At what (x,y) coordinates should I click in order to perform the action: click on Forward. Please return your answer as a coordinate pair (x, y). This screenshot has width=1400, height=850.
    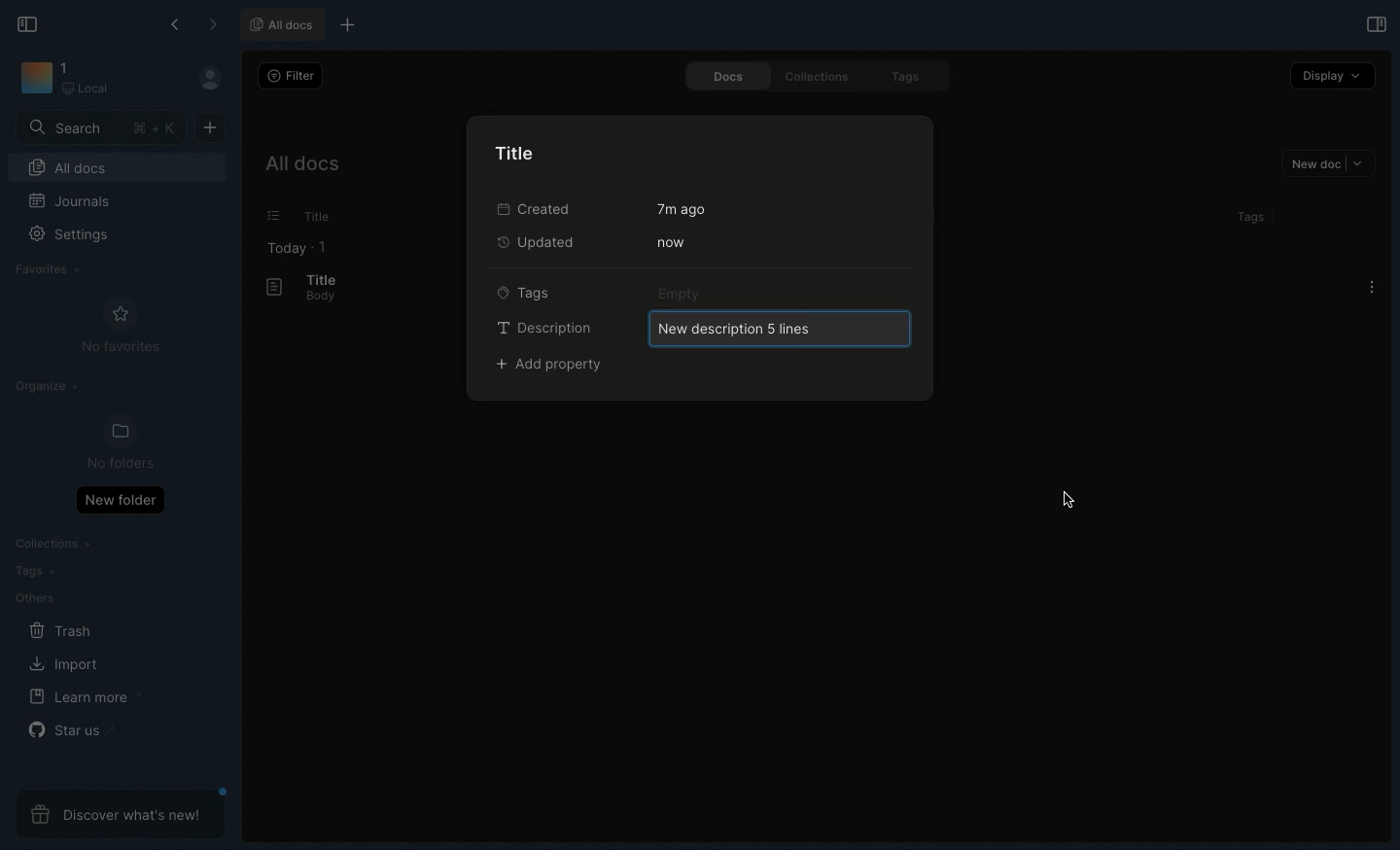
    Looking at the image, I should click on (213, 26).